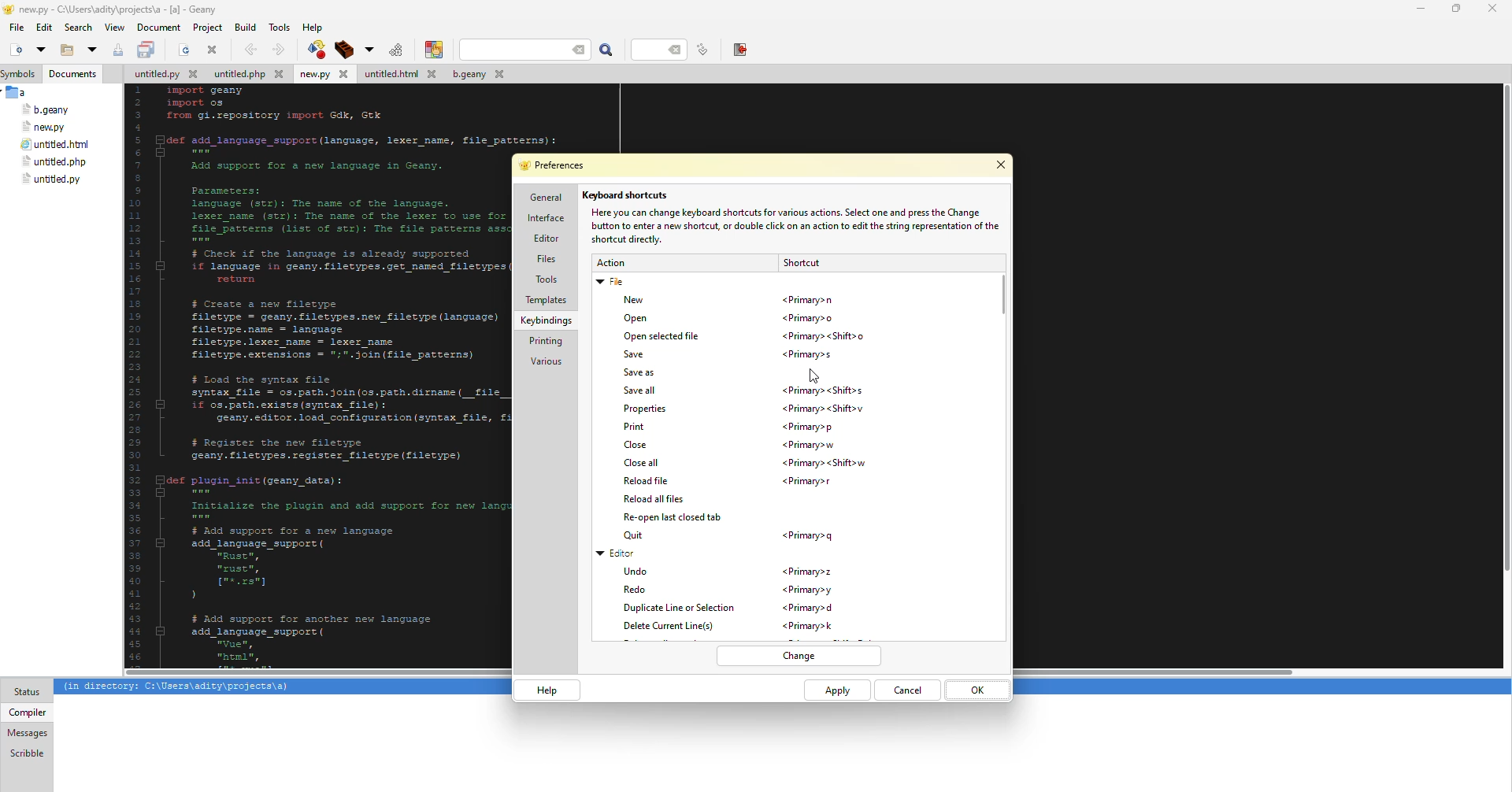 This screenshot has height=792, width=1512. What do you see at coordinates (808, 354) in the screenshot?
I see `shortcut` at bounding box center [808, 354].